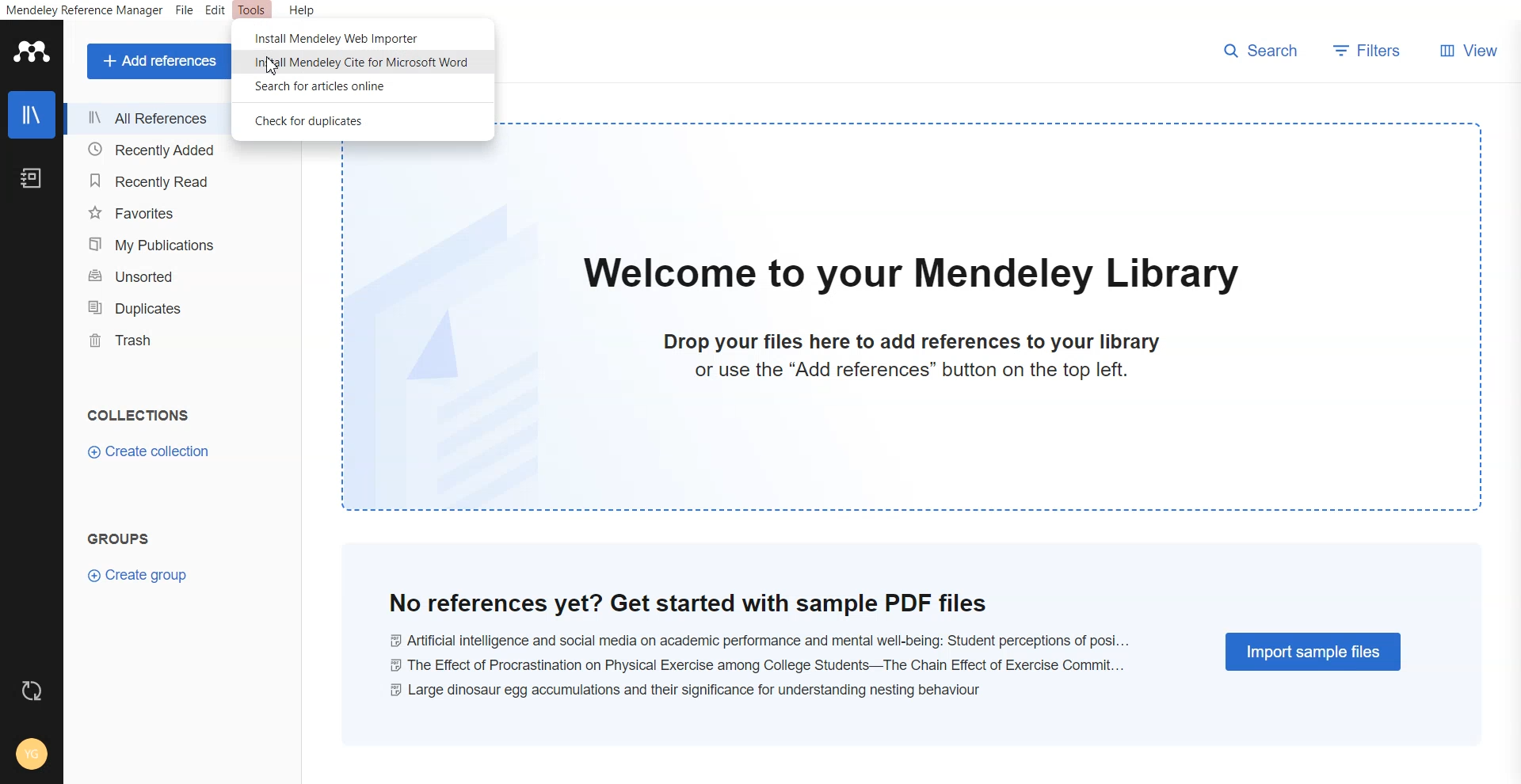  What do you see at coordinates (1262, 53) in the screenshot?
I see `Search` at bounding box center [1262, 53].